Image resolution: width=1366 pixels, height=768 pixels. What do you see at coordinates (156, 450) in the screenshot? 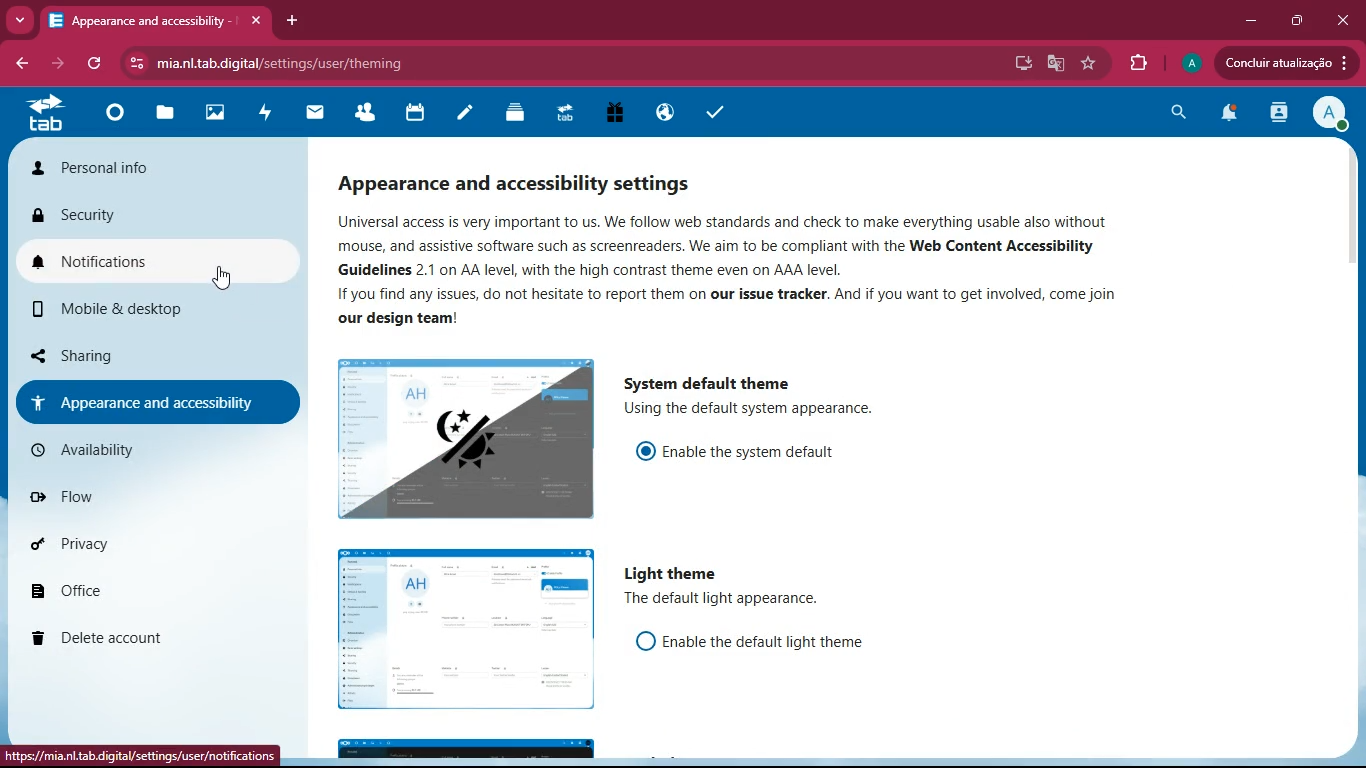
I see `availability` at bounding box center [156, 450].